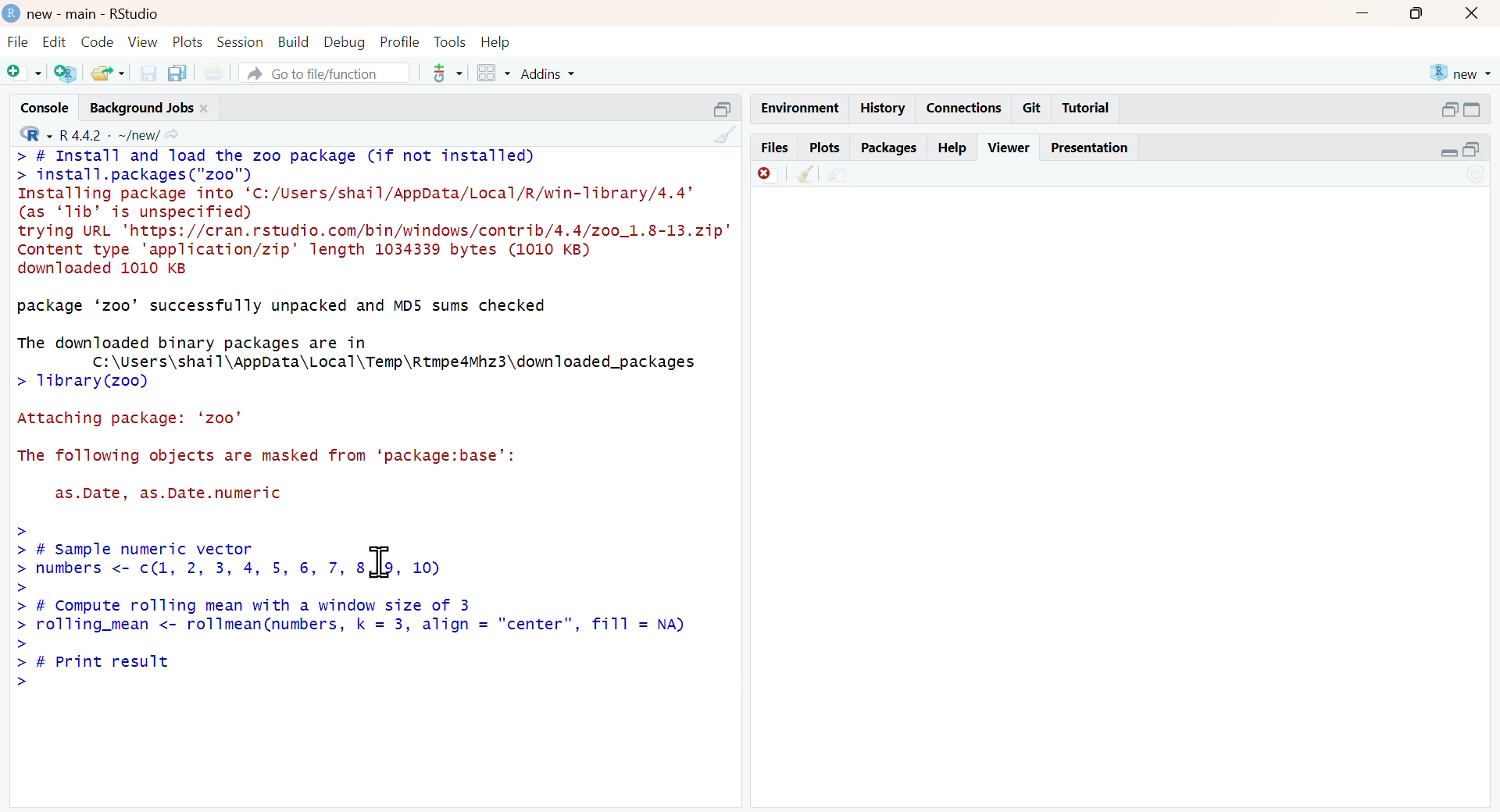 Image resolution: width=1500 pixels, height=812 pixels. What do you see at coordinates (1478, 175) in the screenshot?
I see `Sync` at bounding box center [1478, 175].